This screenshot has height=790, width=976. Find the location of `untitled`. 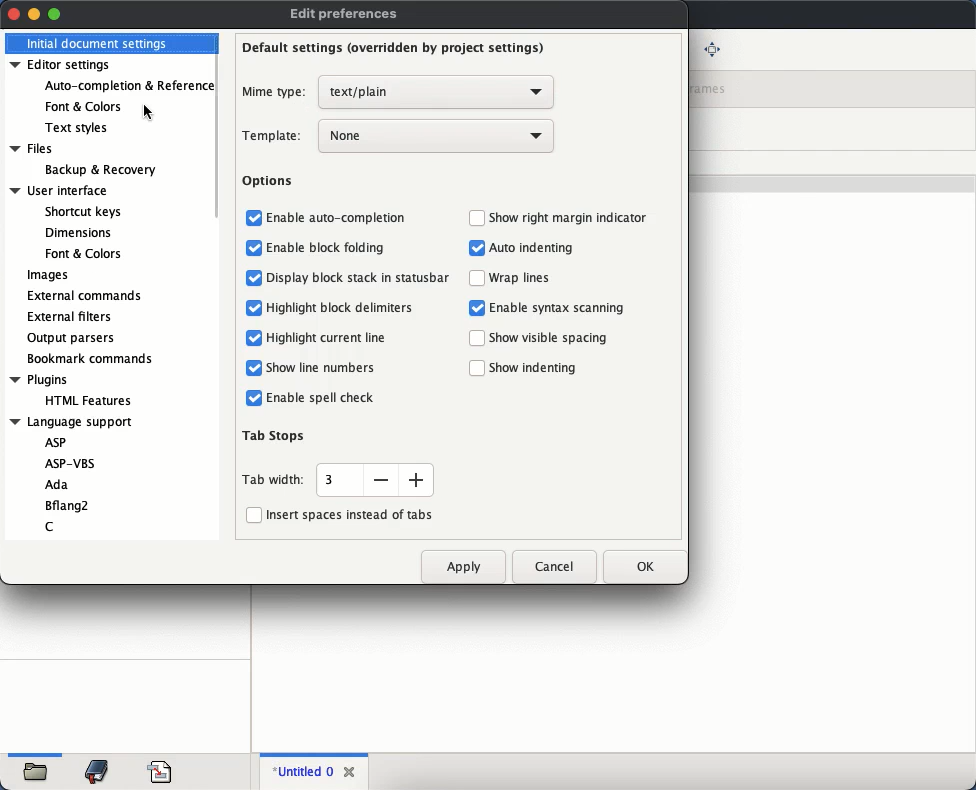

untitled is located at coordinates (303, 771).